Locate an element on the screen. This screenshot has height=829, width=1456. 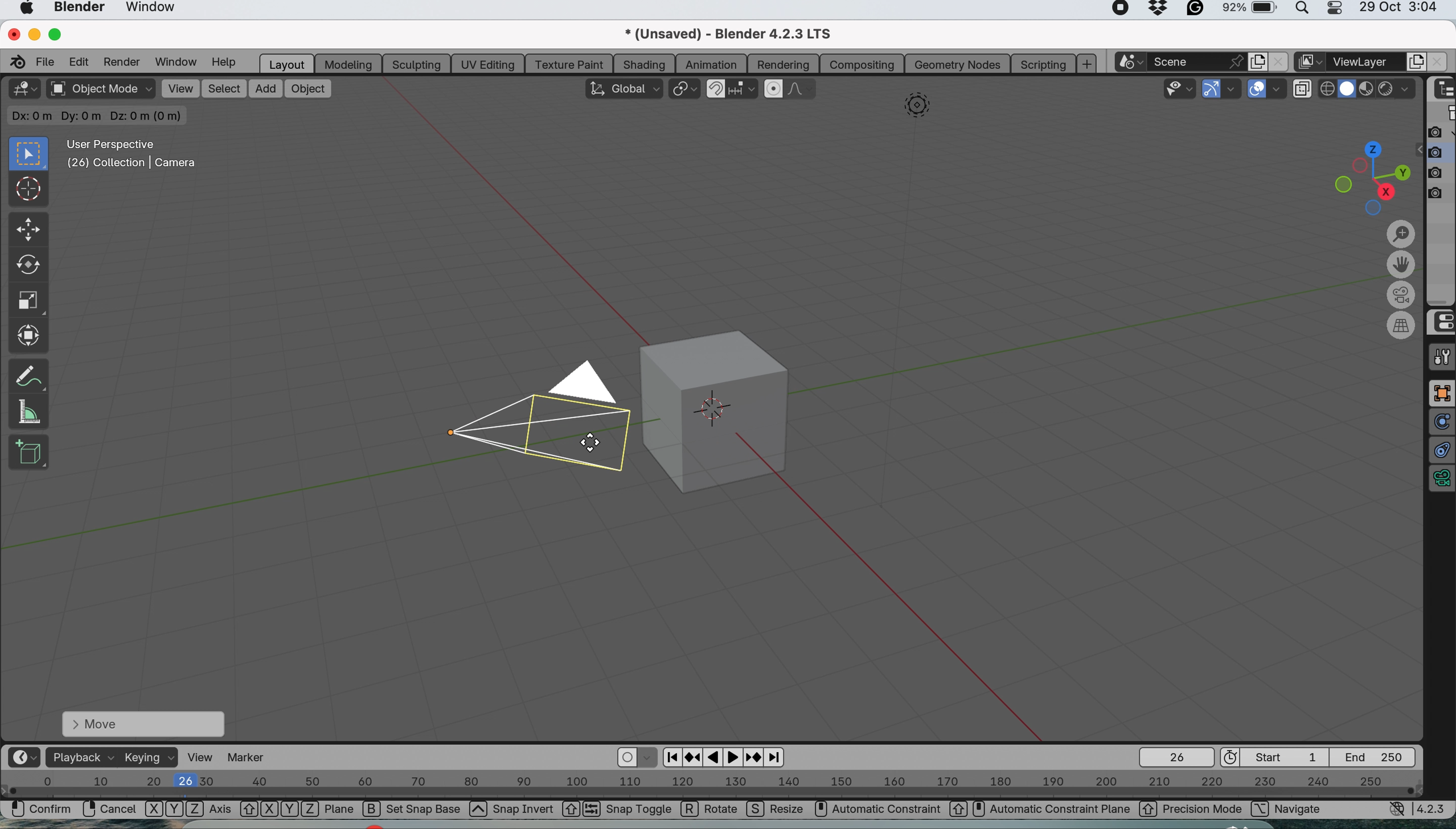
data is located at coordinates (1441, 481).